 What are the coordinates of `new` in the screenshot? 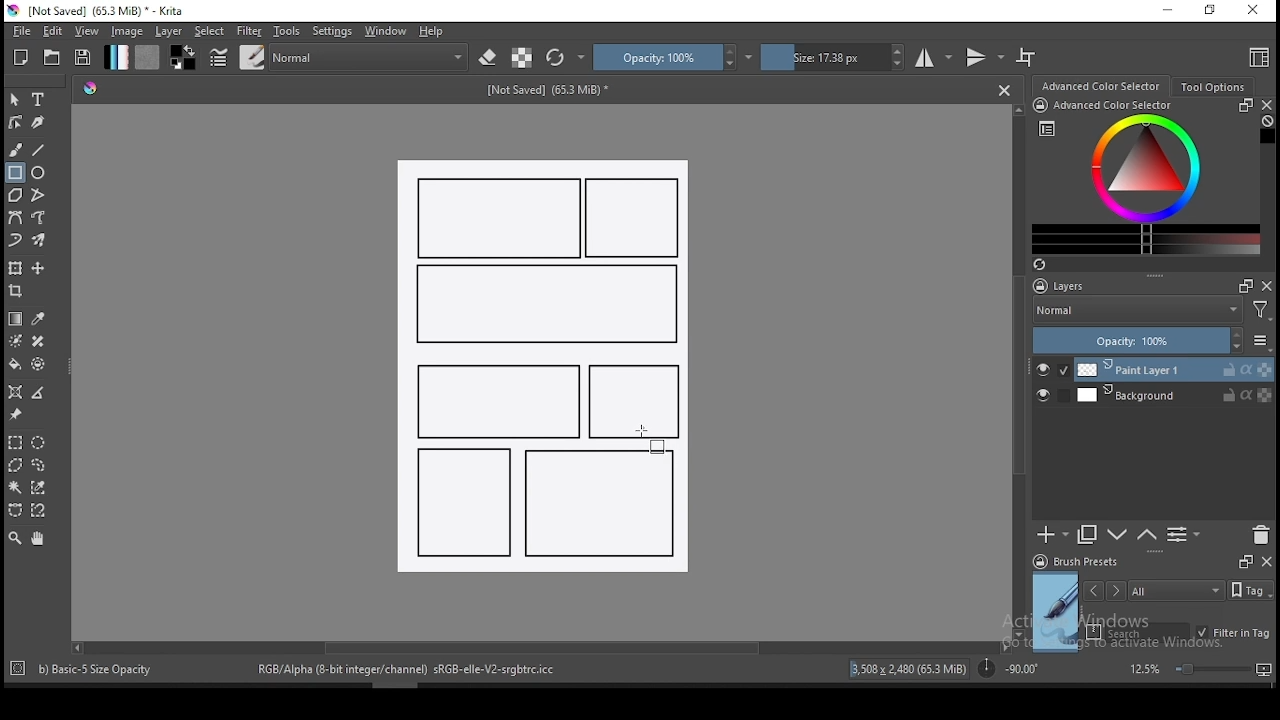 It's located at (21, 57).